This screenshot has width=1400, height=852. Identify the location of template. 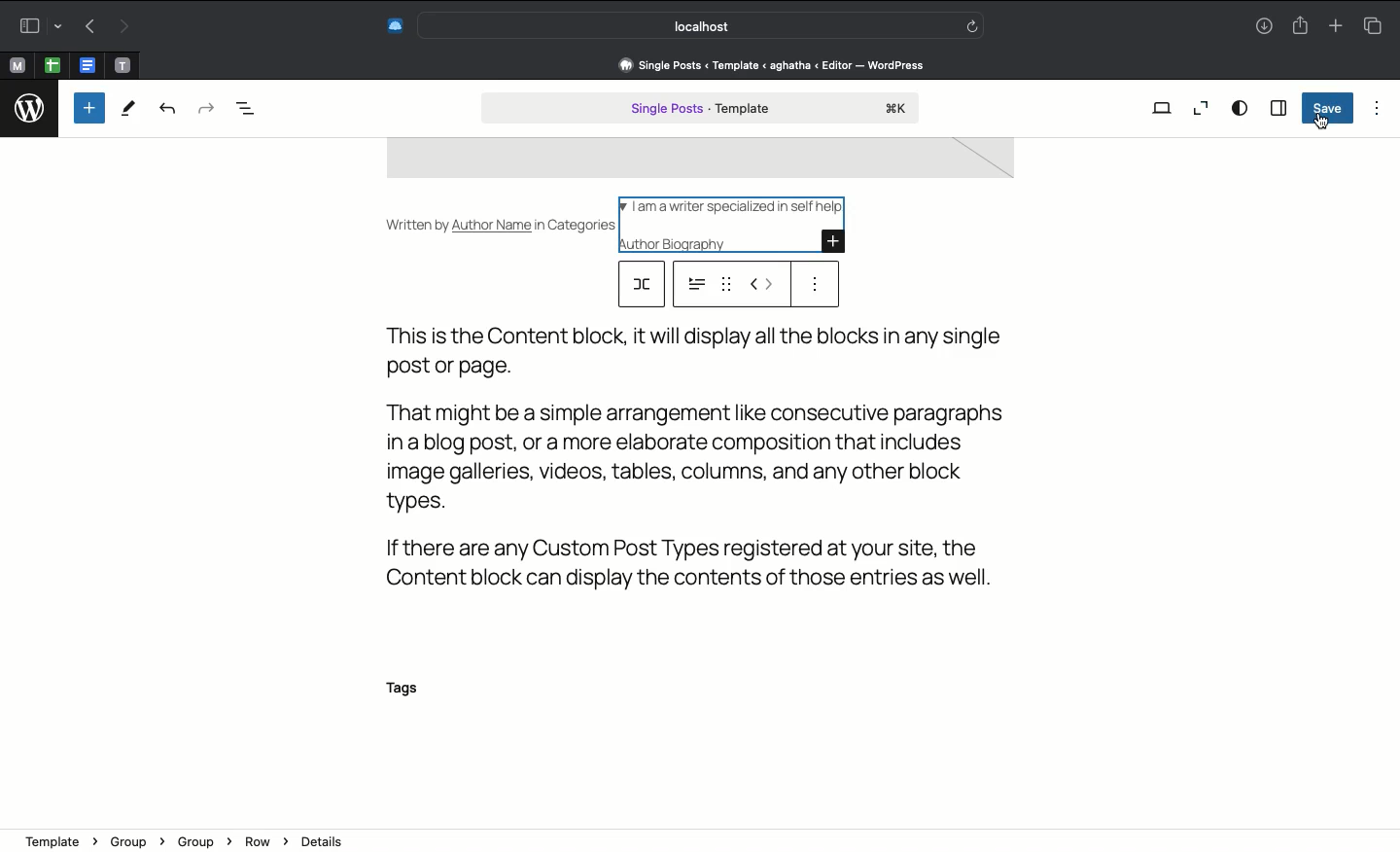
(59, 835).